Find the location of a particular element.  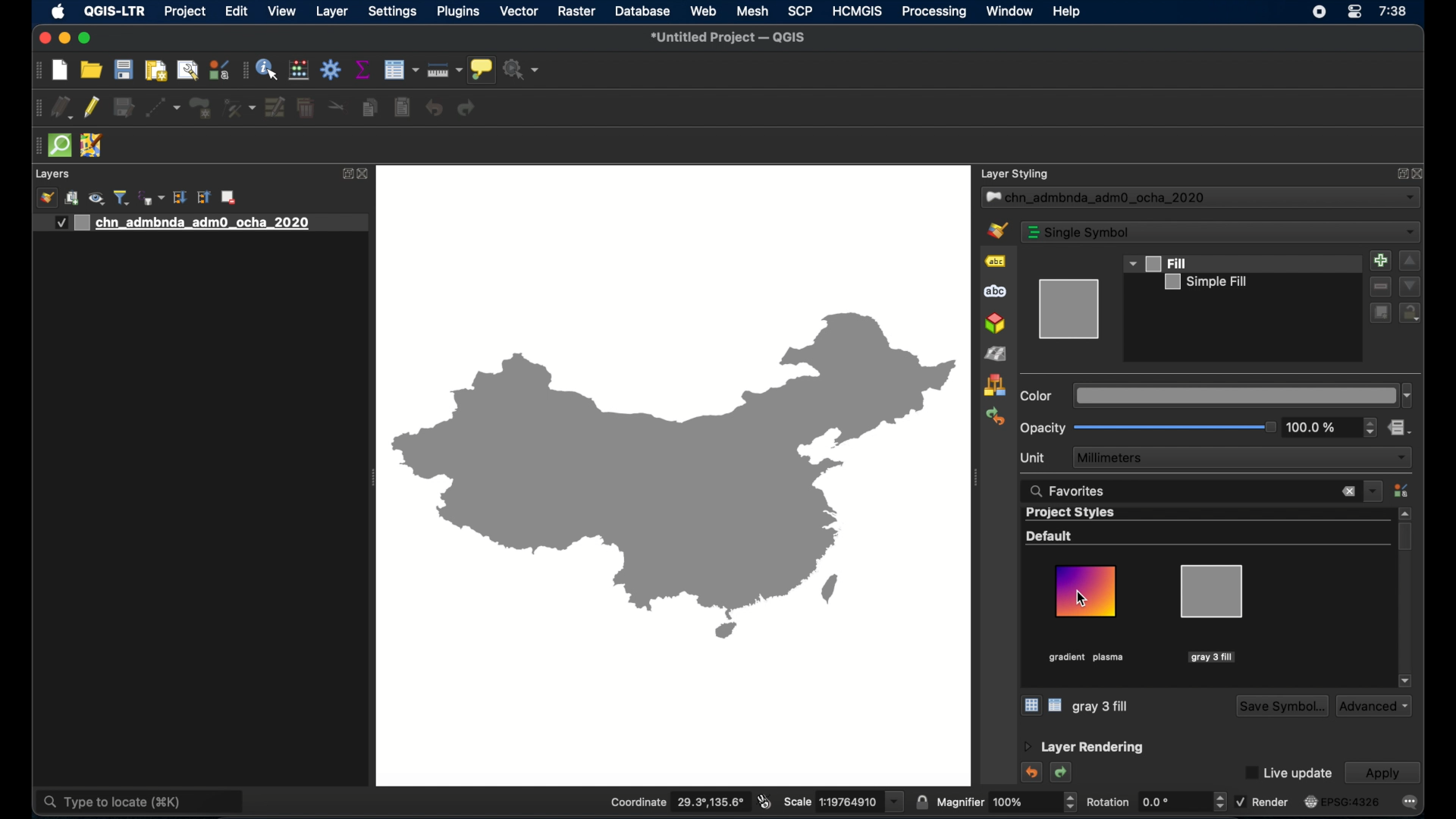

increment is located at coordinates (1410, 261).